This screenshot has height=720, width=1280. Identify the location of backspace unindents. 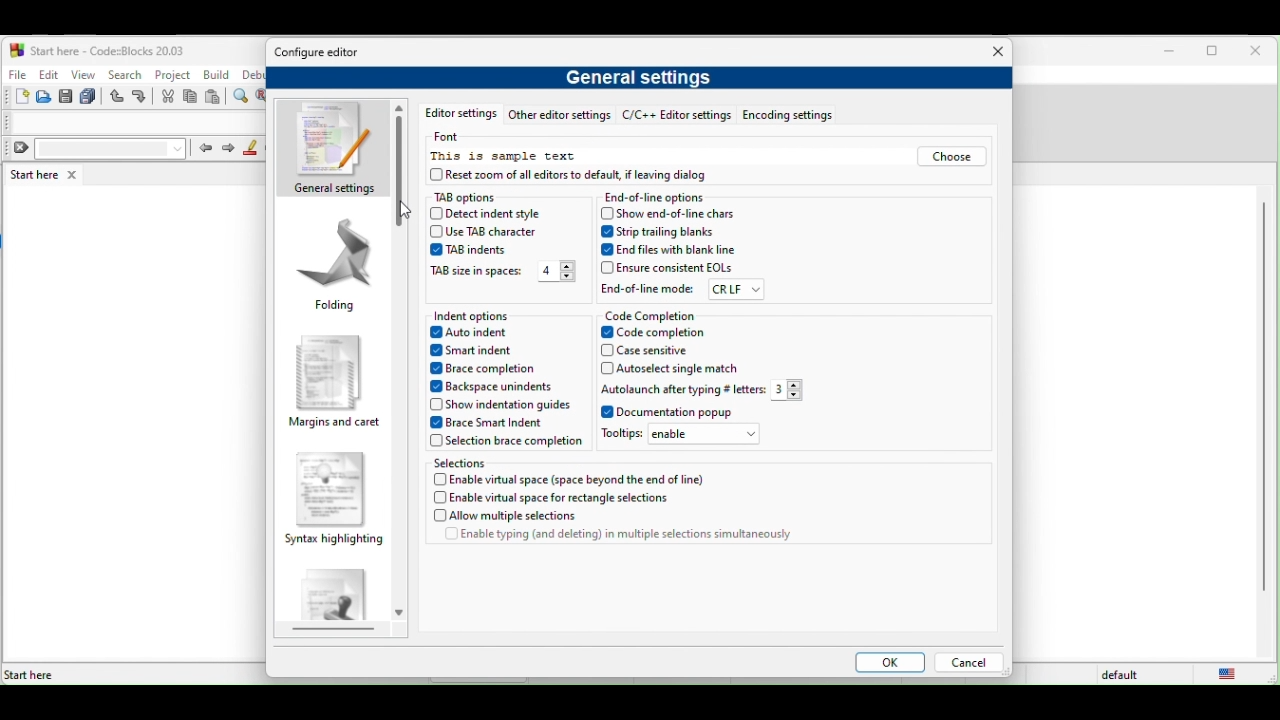
(499, 386).